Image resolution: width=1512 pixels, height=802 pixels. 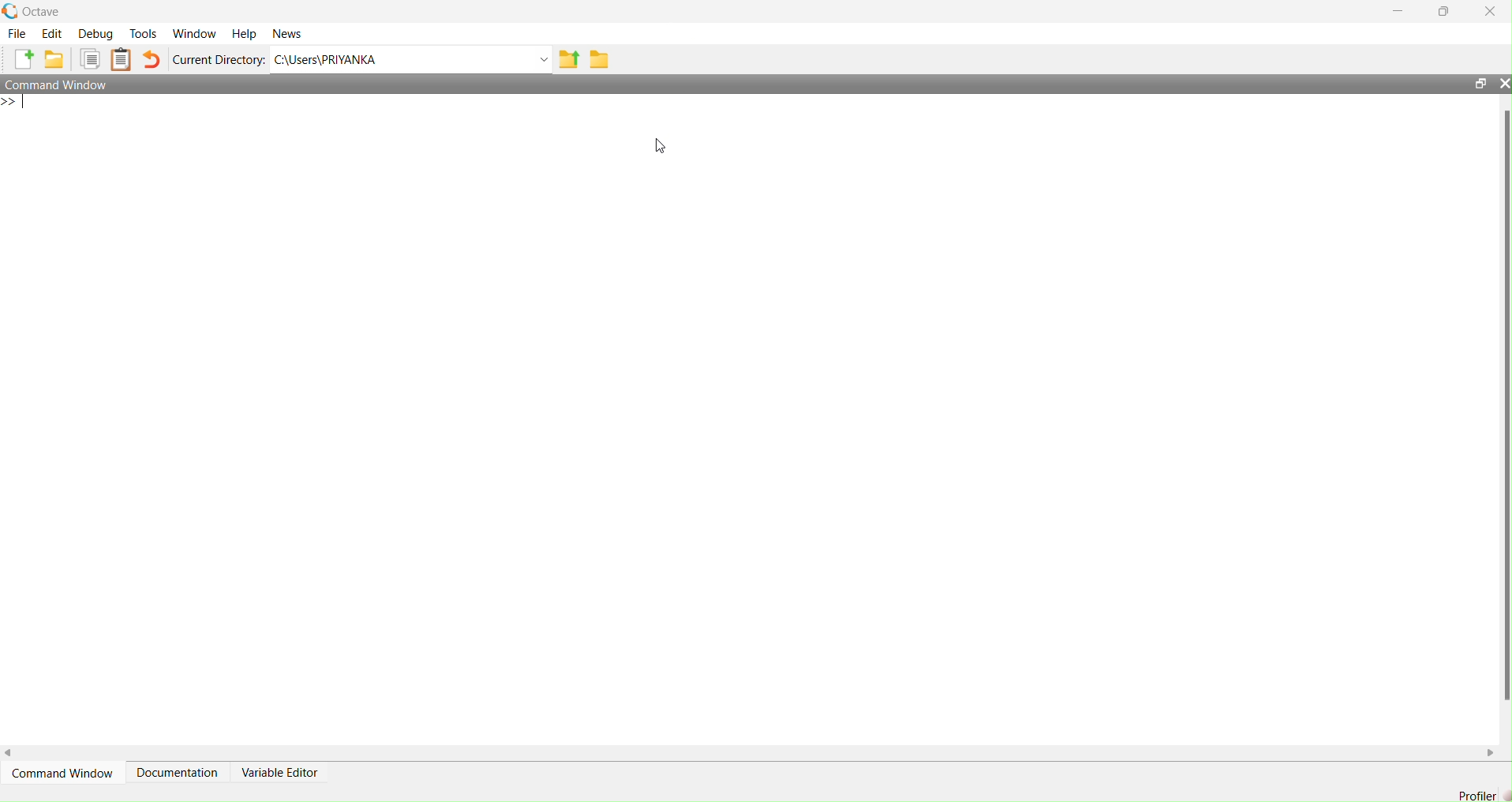 What do you see at coordinates (194, 32) in the screenshot?
I see `‘Window` at bounding box center [194, 32].